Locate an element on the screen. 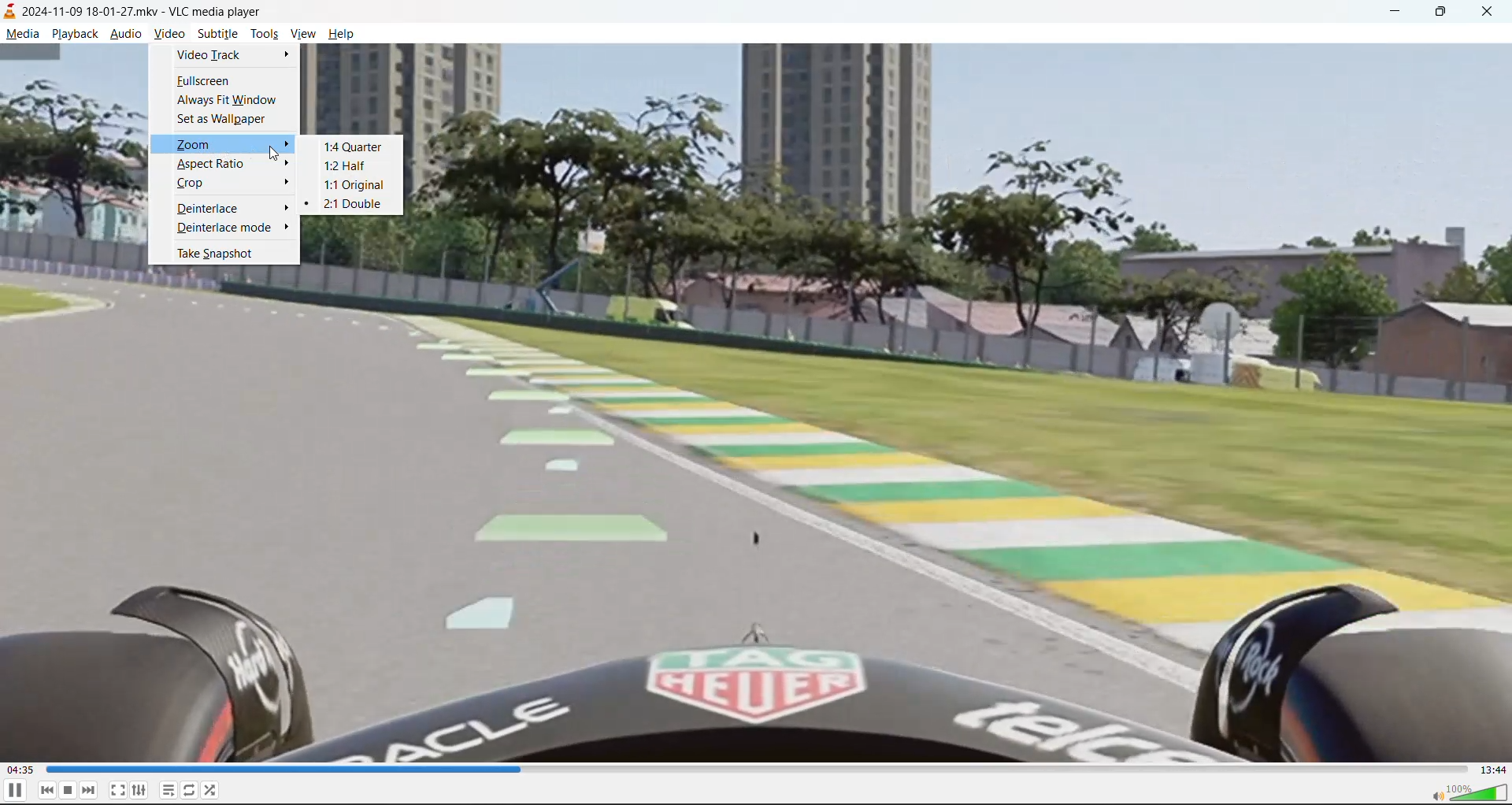 This screenshot has height=805, width=1512. toggle loop is located at coordinates (189, 788).